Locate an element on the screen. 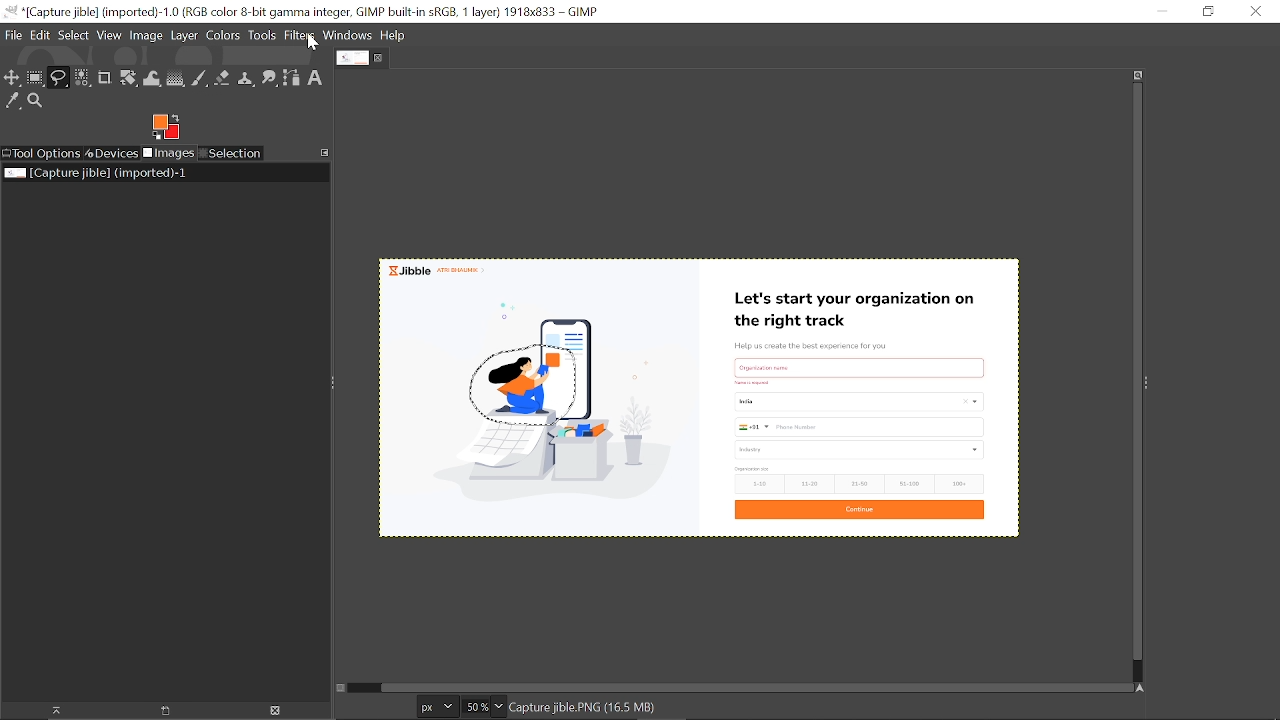 The image size is (1280, 720). Move tool is located at coordinates (12, 77).